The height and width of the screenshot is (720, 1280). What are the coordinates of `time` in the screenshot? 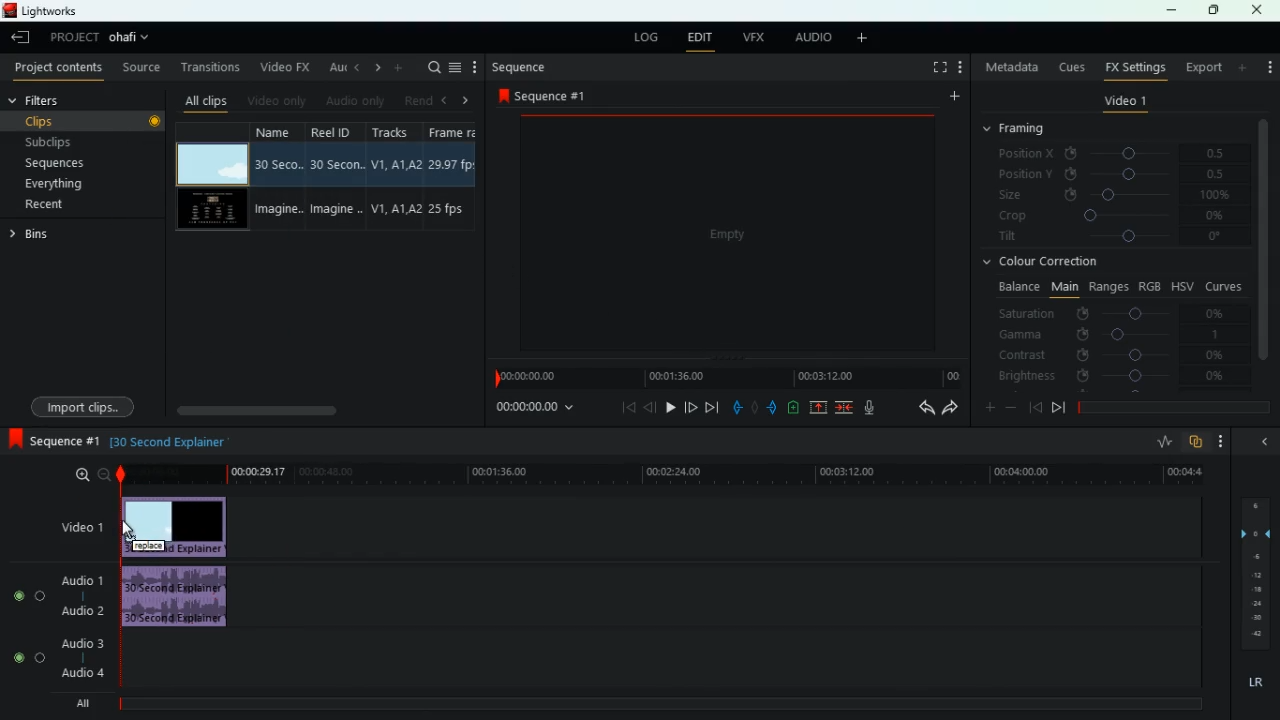 It's located at (533, 409).